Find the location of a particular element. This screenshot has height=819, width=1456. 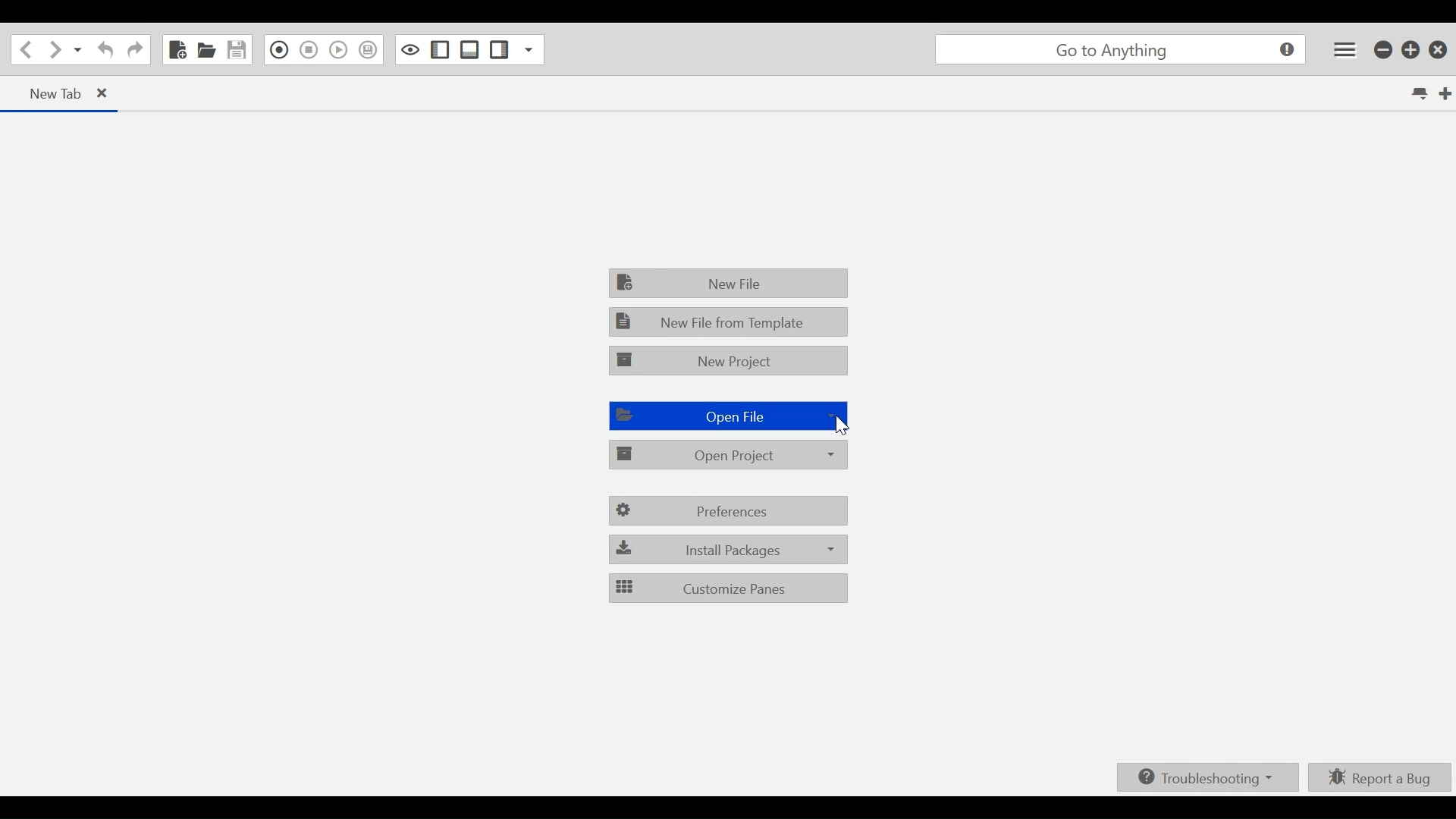

Go Forward one location is located at coordinates (54, 49).